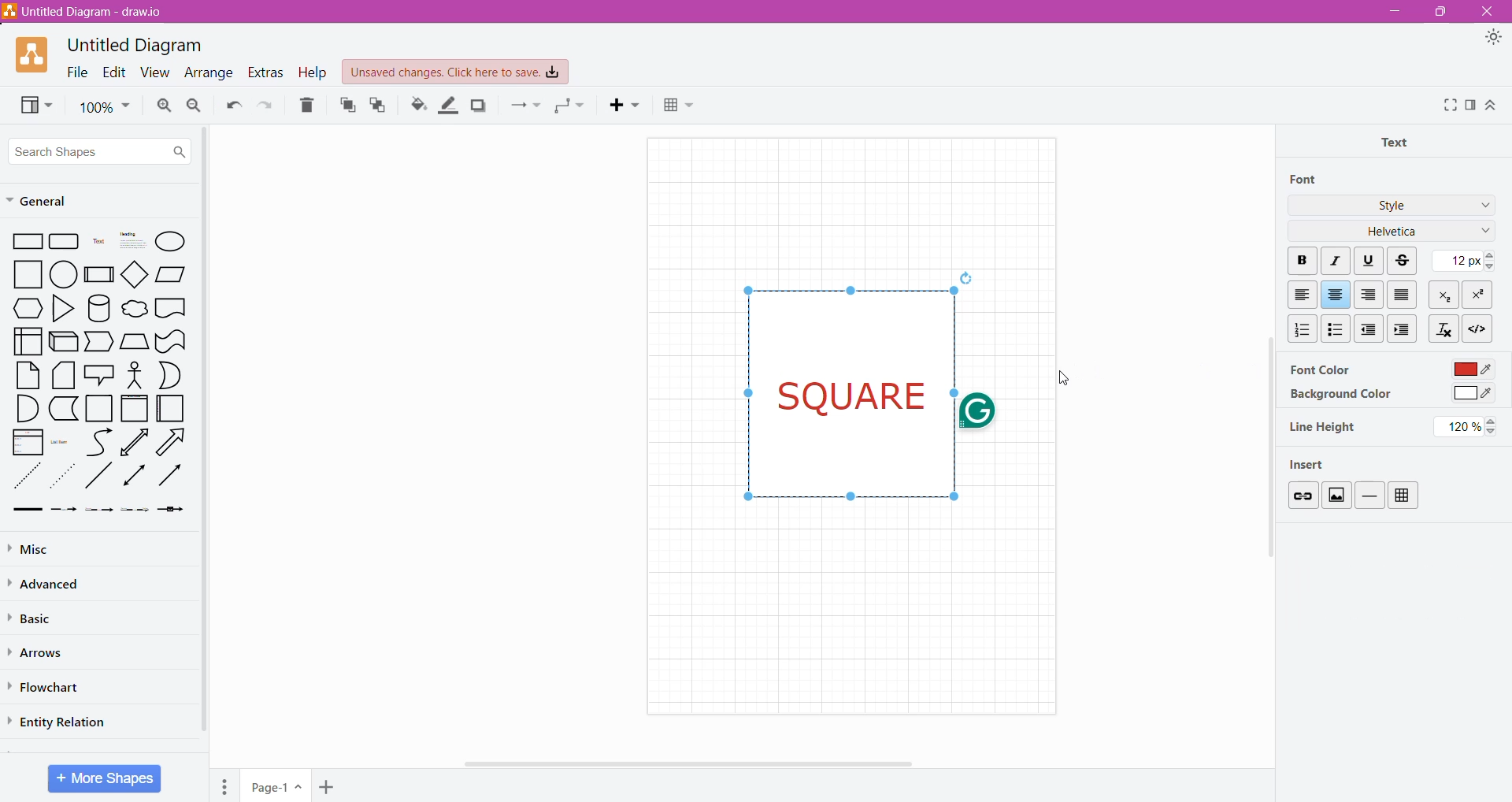  I want to click on Link, so click(1302, 495).